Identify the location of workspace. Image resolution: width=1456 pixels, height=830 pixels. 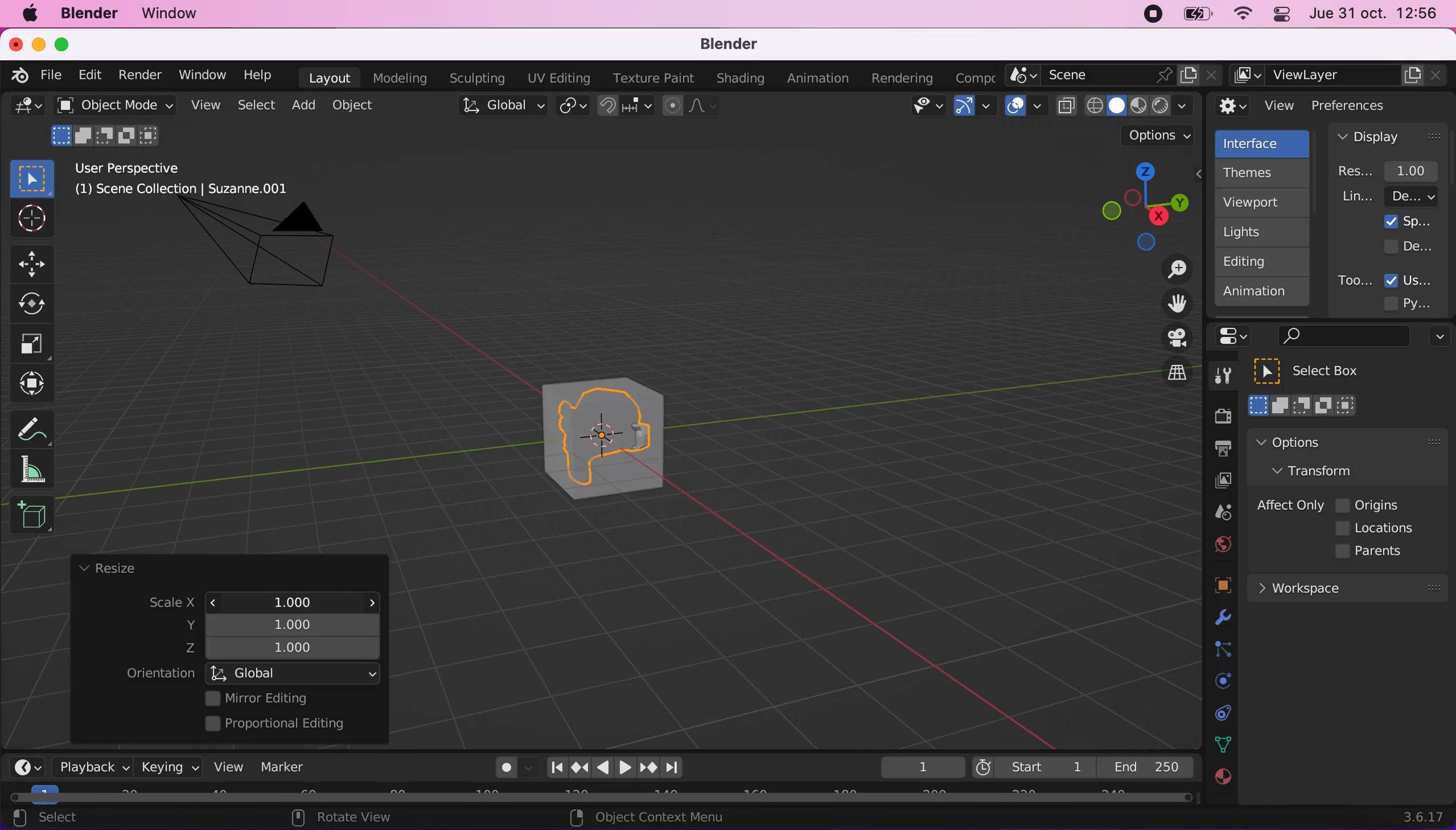
(1347, 587).